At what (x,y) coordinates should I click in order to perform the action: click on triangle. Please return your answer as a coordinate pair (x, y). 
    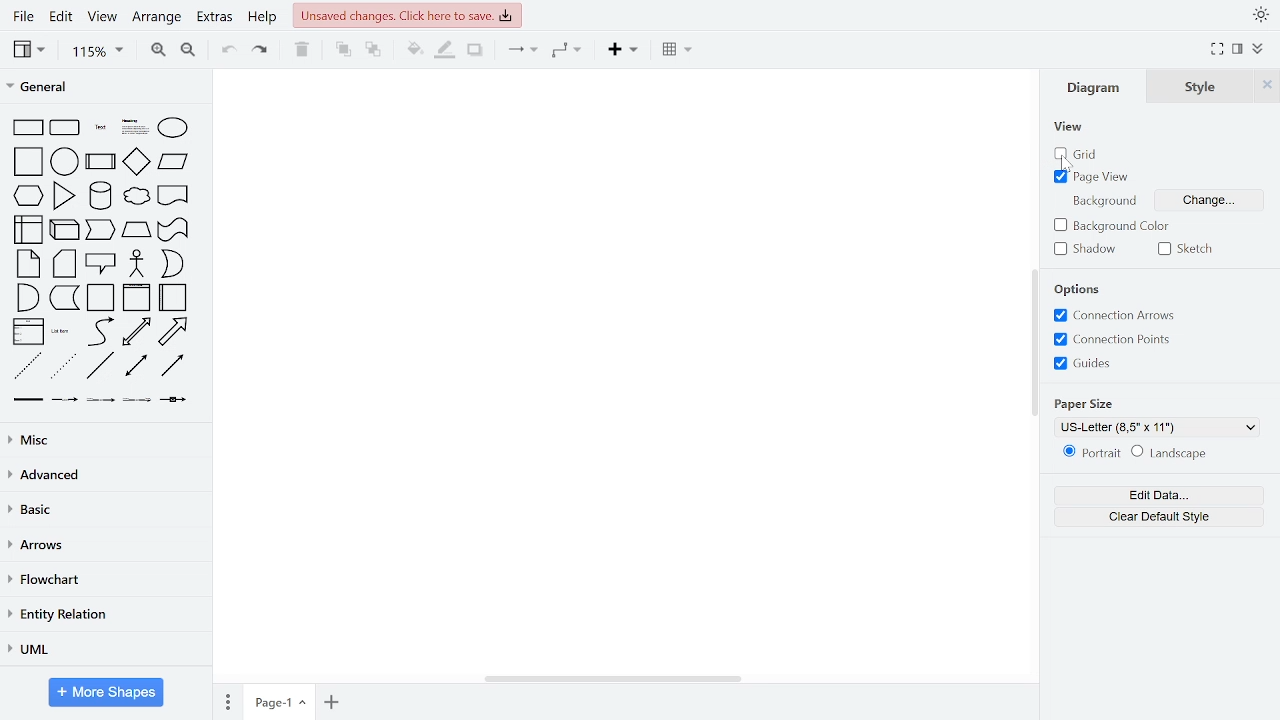
    Looking at the image, I should click on (63, 195).